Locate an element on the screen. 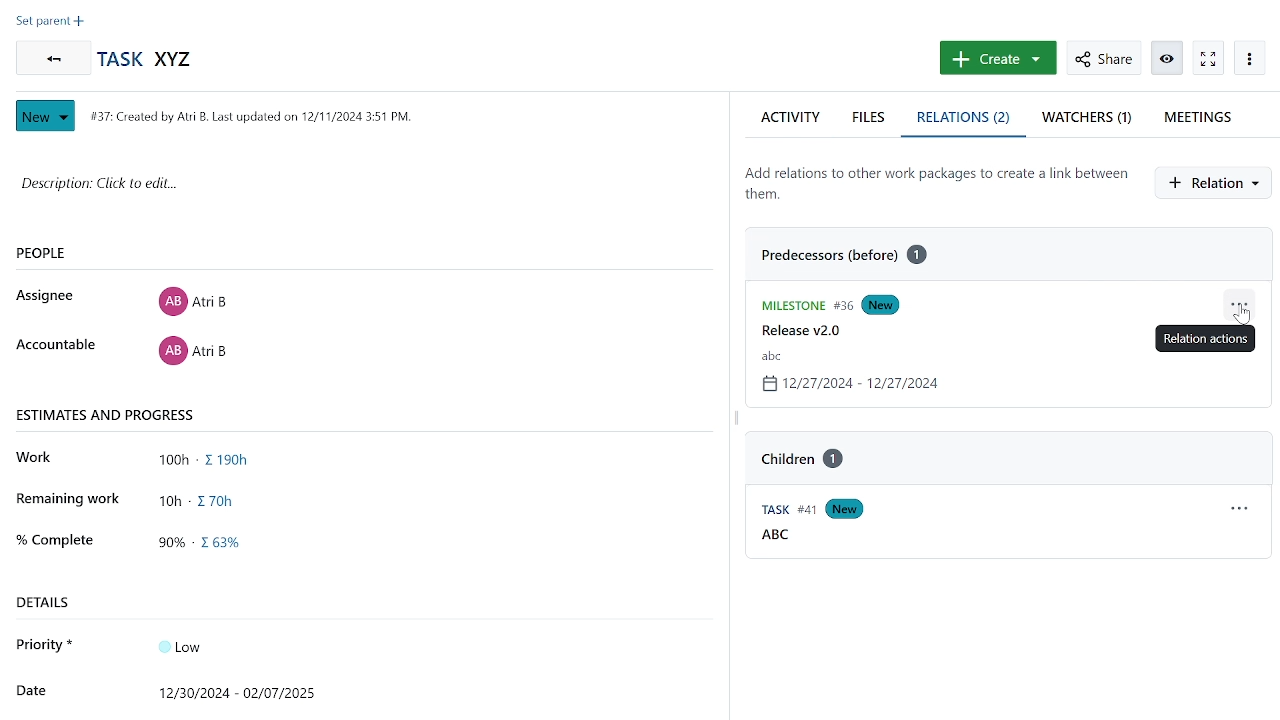  #37: Created by Atri B last updated on 12/11/2024 3:51 Pm is located at coordinates (249, 116).